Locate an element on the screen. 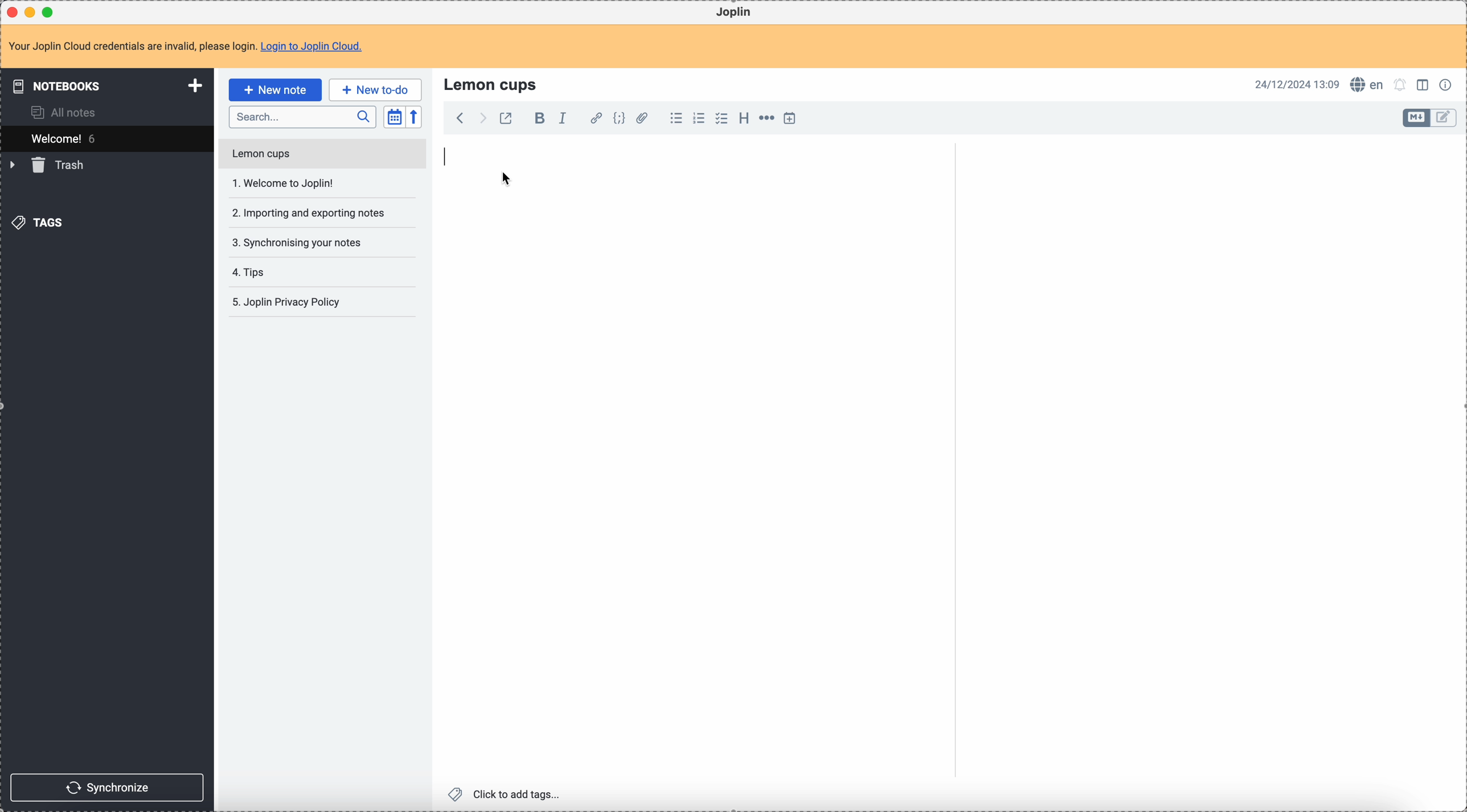 This screenshot has height=812, width=1467. toggle external editing is located at coordinates (505, 120).